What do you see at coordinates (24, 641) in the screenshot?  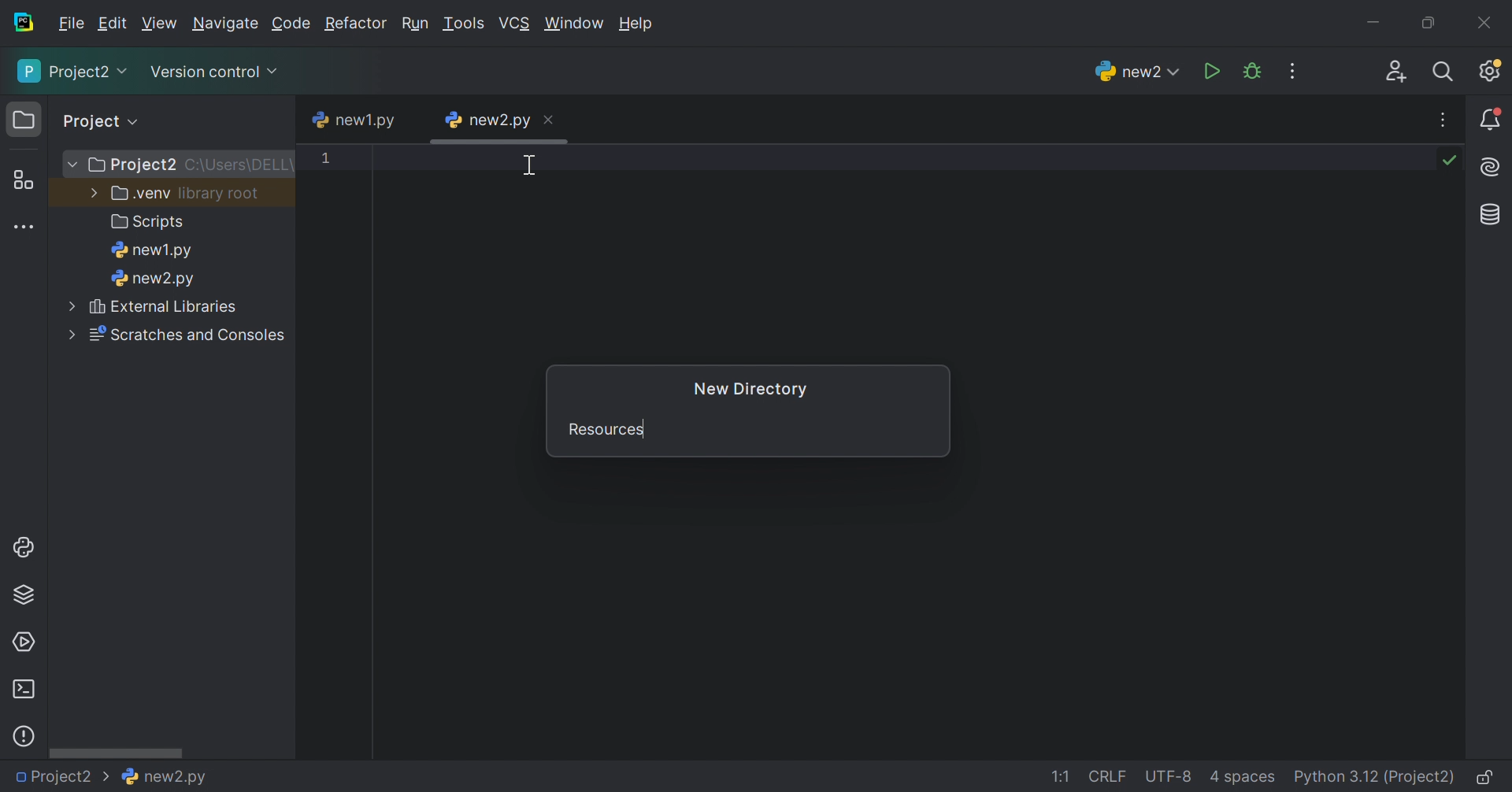 I see `Services` at bounding box center [24, 641].